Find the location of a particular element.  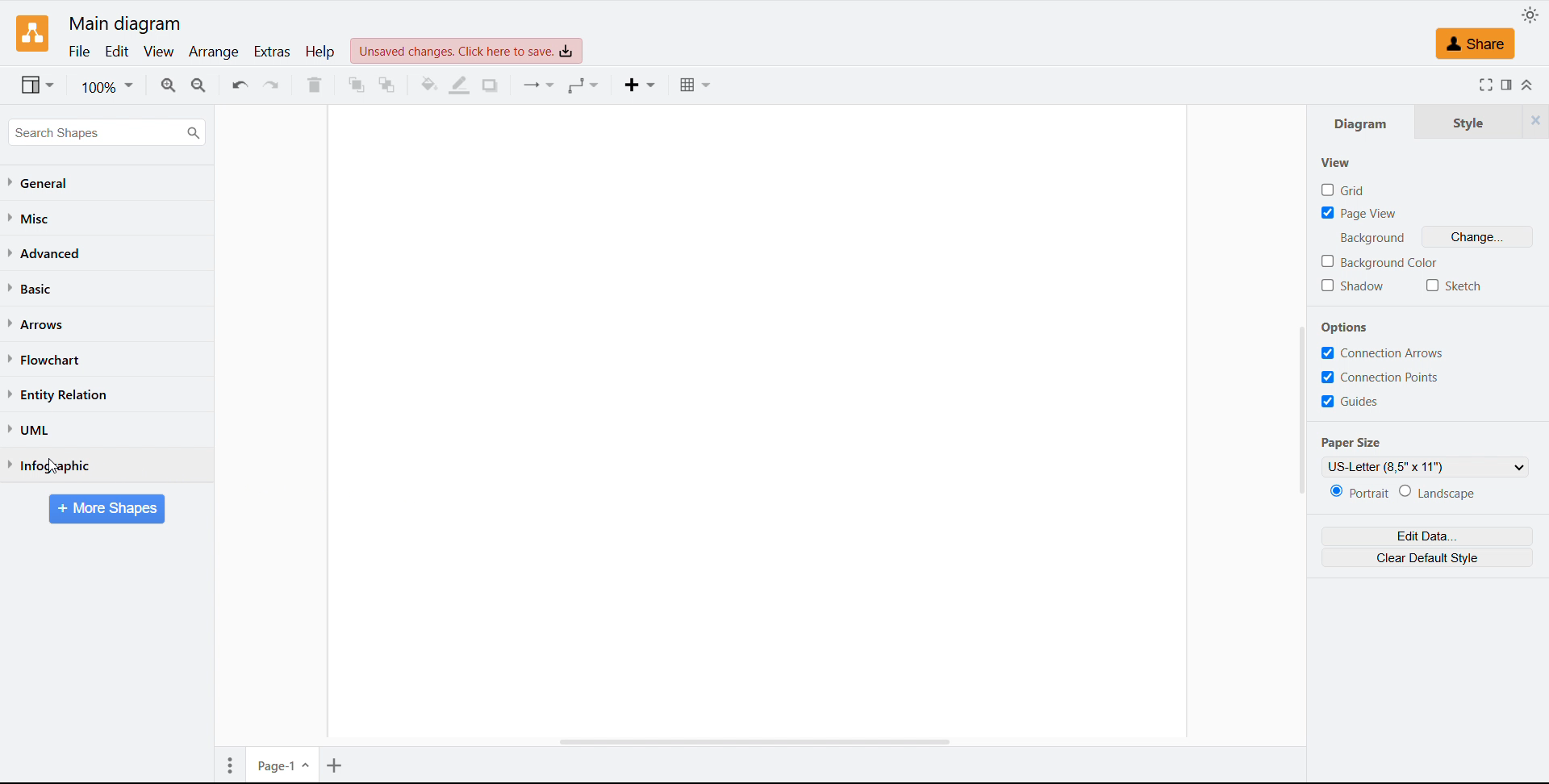

Vertical scroll bar  is located at coordinates (1302, 397).